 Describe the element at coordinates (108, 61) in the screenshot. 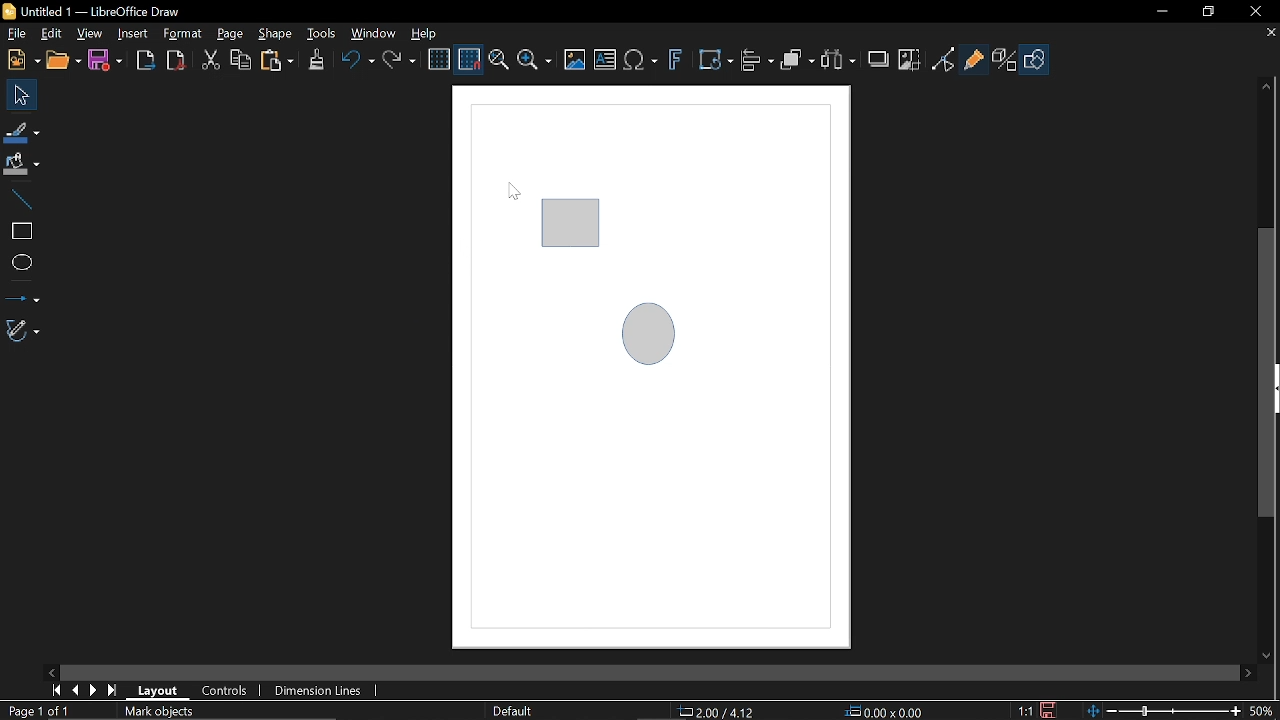

I see `Save` at that location.